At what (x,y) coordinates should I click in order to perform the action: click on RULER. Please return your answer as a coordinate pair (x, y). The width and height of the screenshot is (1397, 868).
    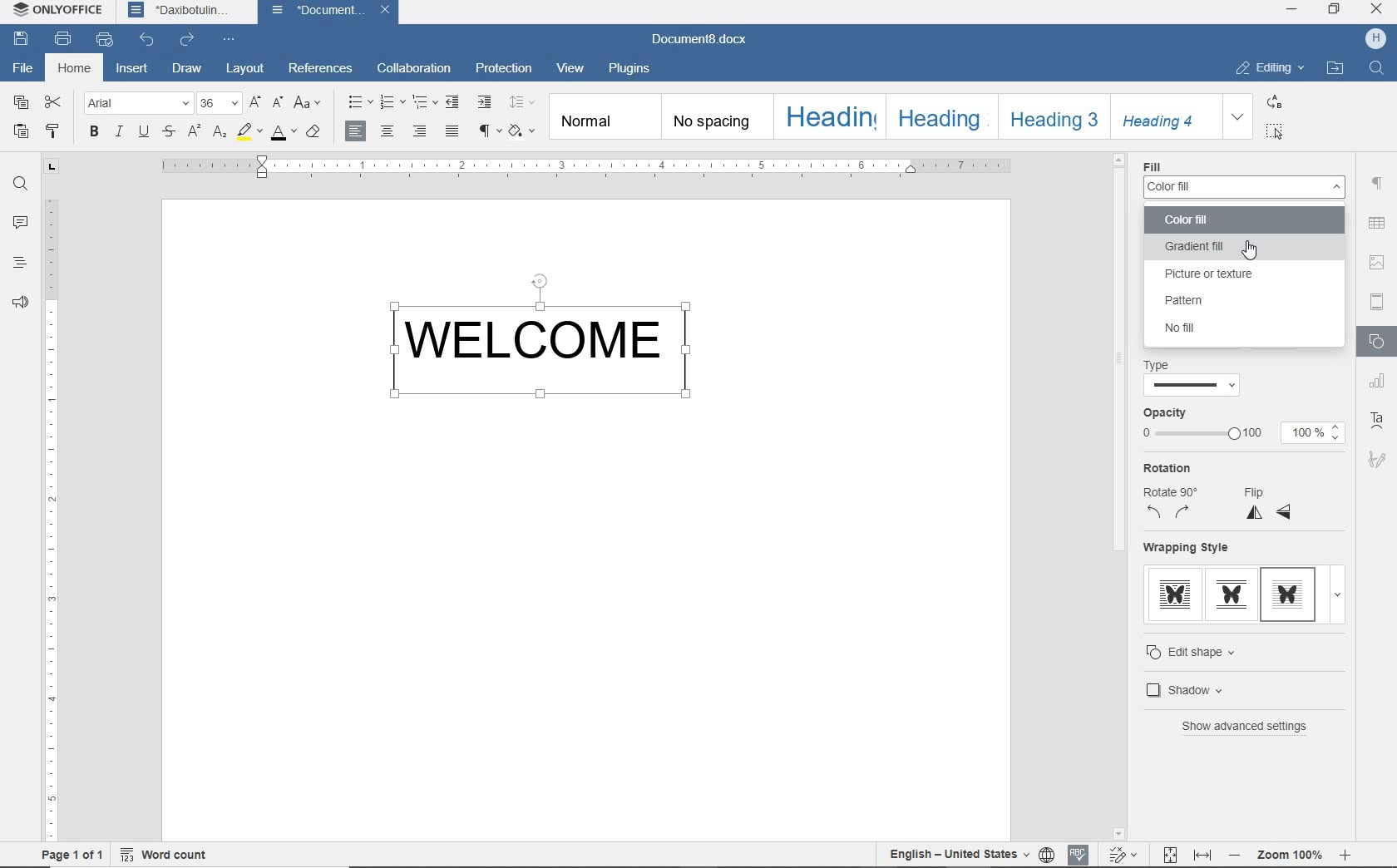
    Looking at the image, I should click on (52, 513).